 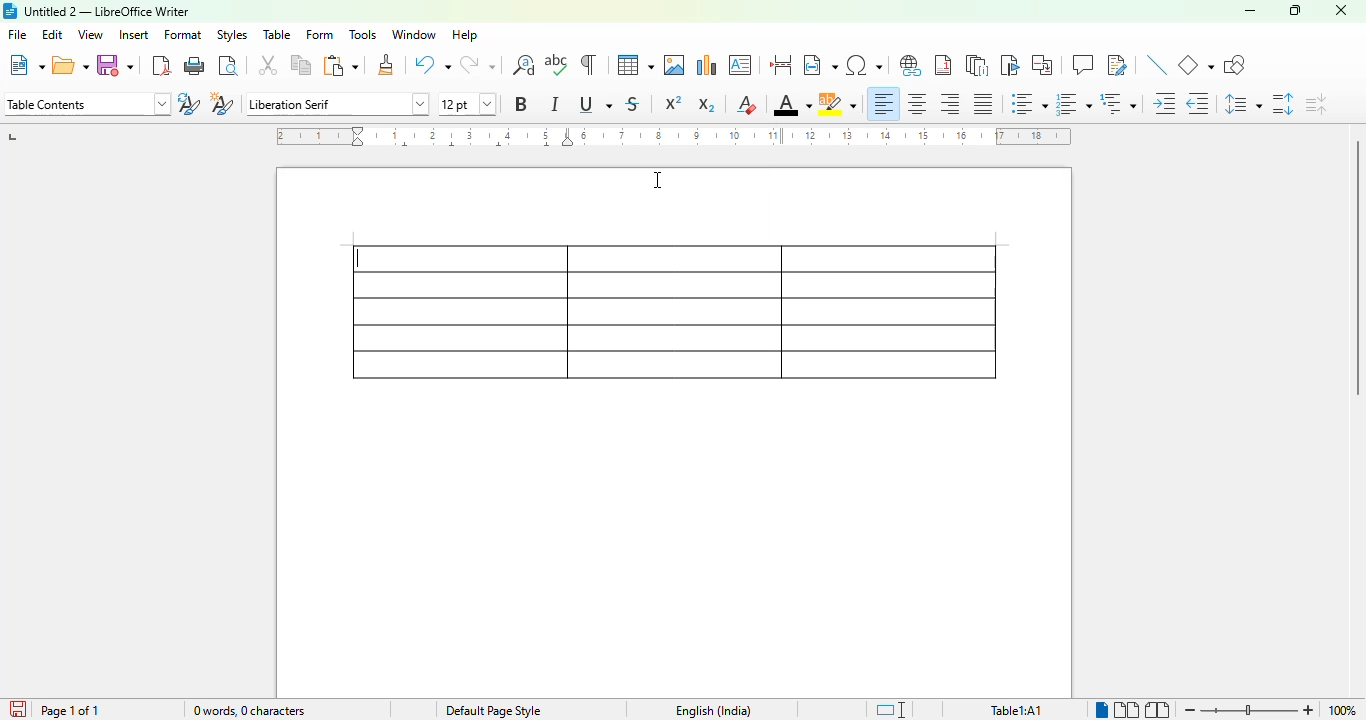 What do you see at coordinates (1010, 65) in the screenshot?
I see `insert bookmark` at bounding box center [1010, 65].